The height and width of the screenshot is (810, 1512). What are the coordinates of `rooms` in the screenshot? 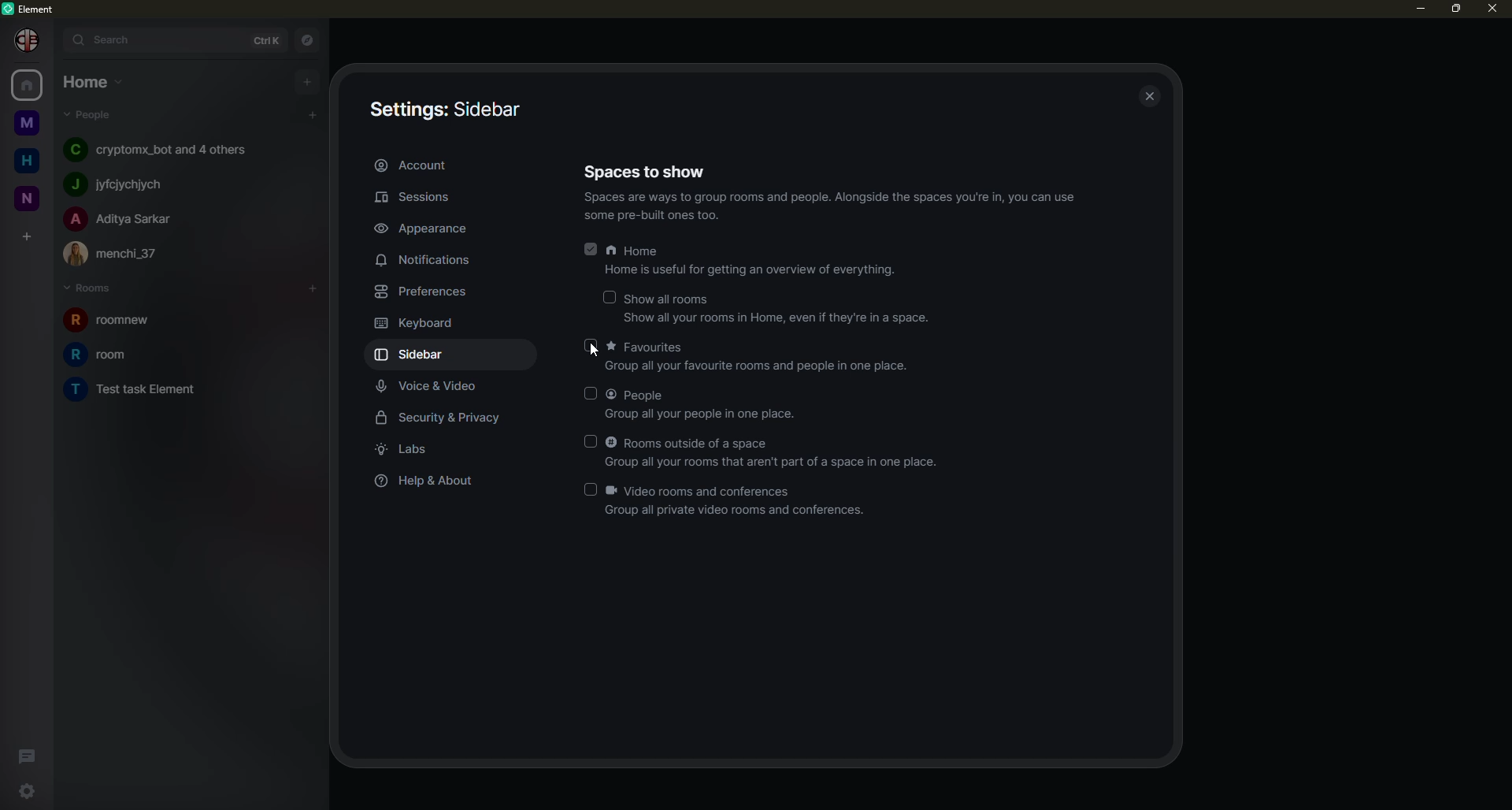 It's located at (91, 288).